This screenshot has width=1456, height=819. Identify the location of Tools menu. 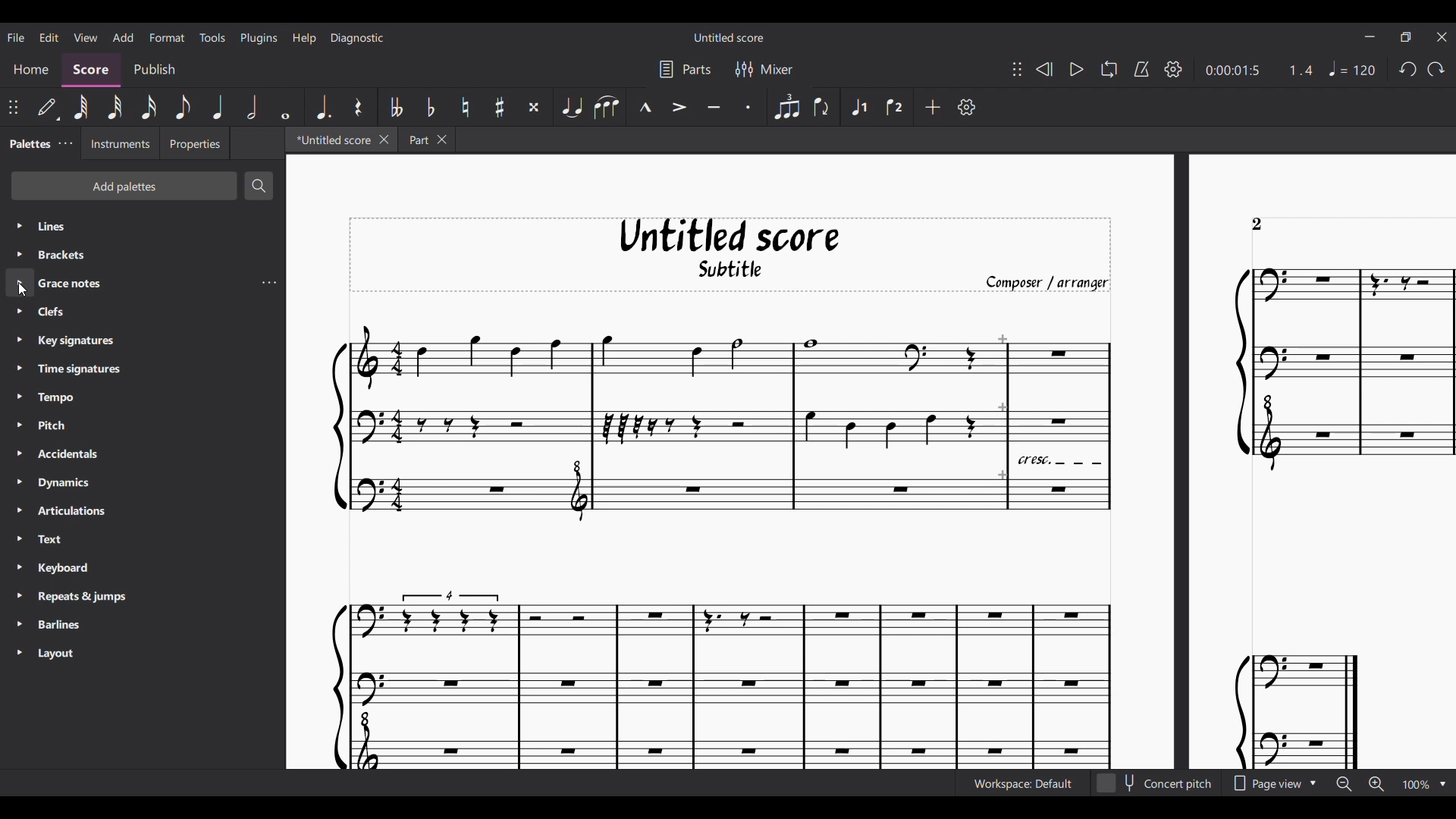
(213, 37).